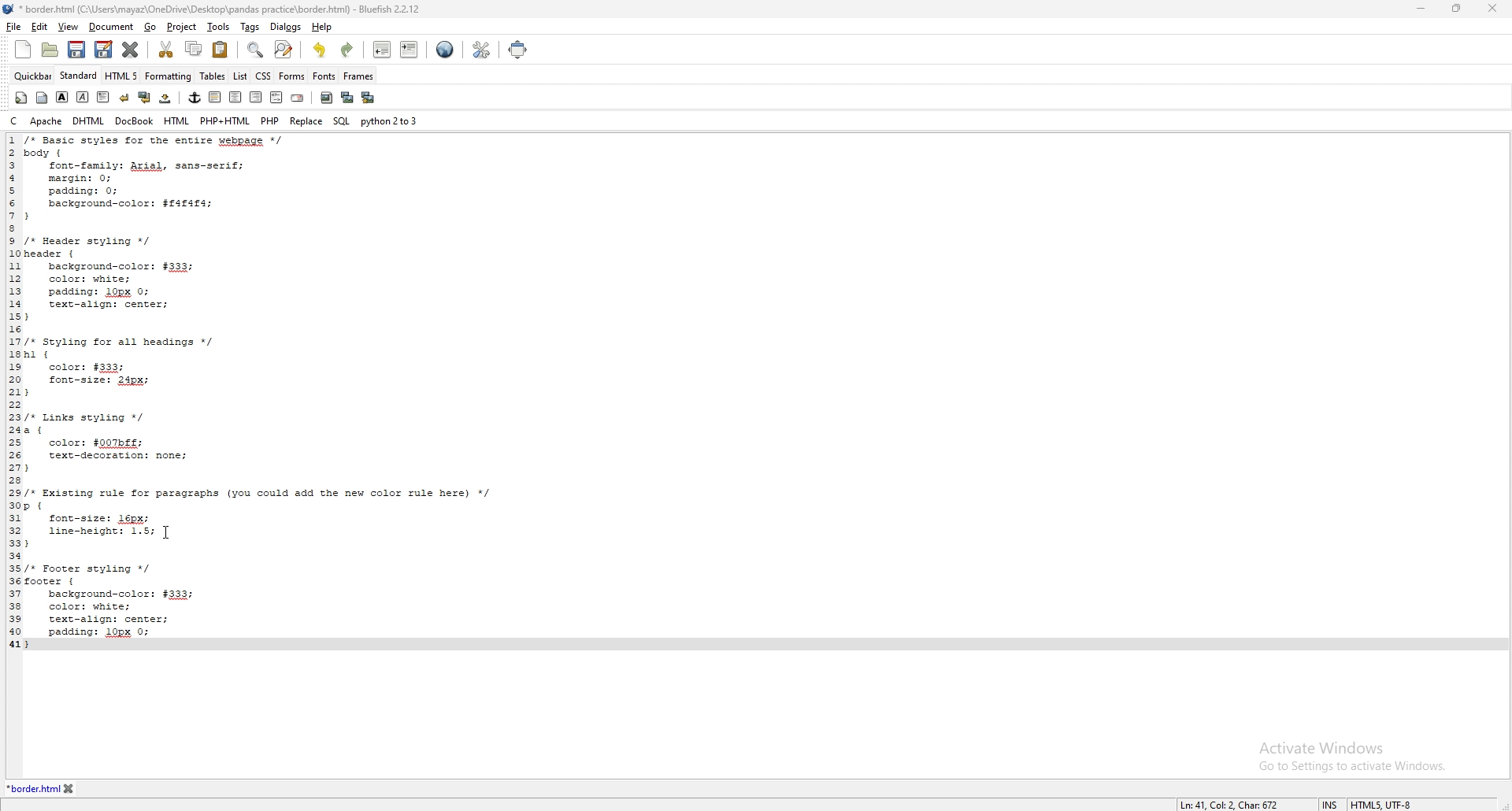  What do you see at coordinates (324, 76) in the screenshot?
I see `fonts` at bounding box center [324, 76].